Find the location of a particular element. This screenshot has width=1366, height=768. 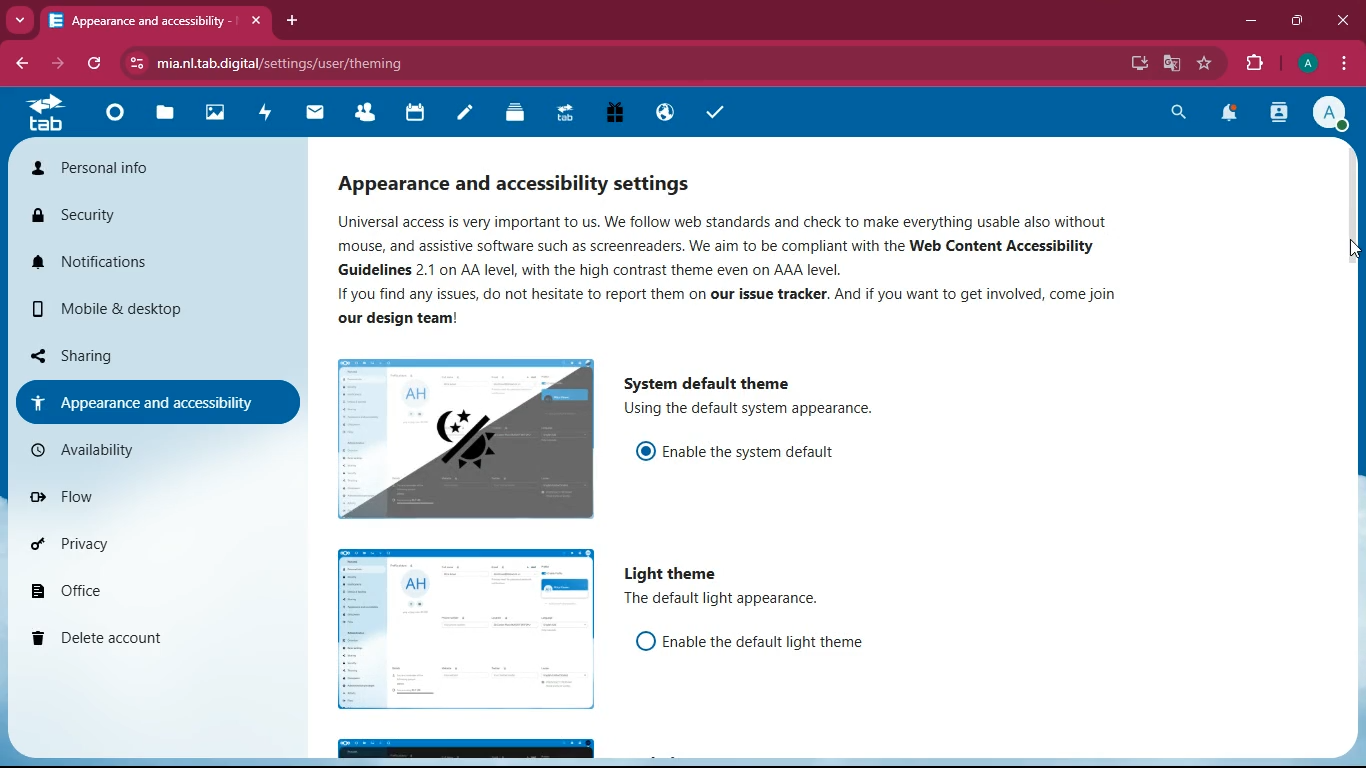

light theme is located at coordinates (691, 573).